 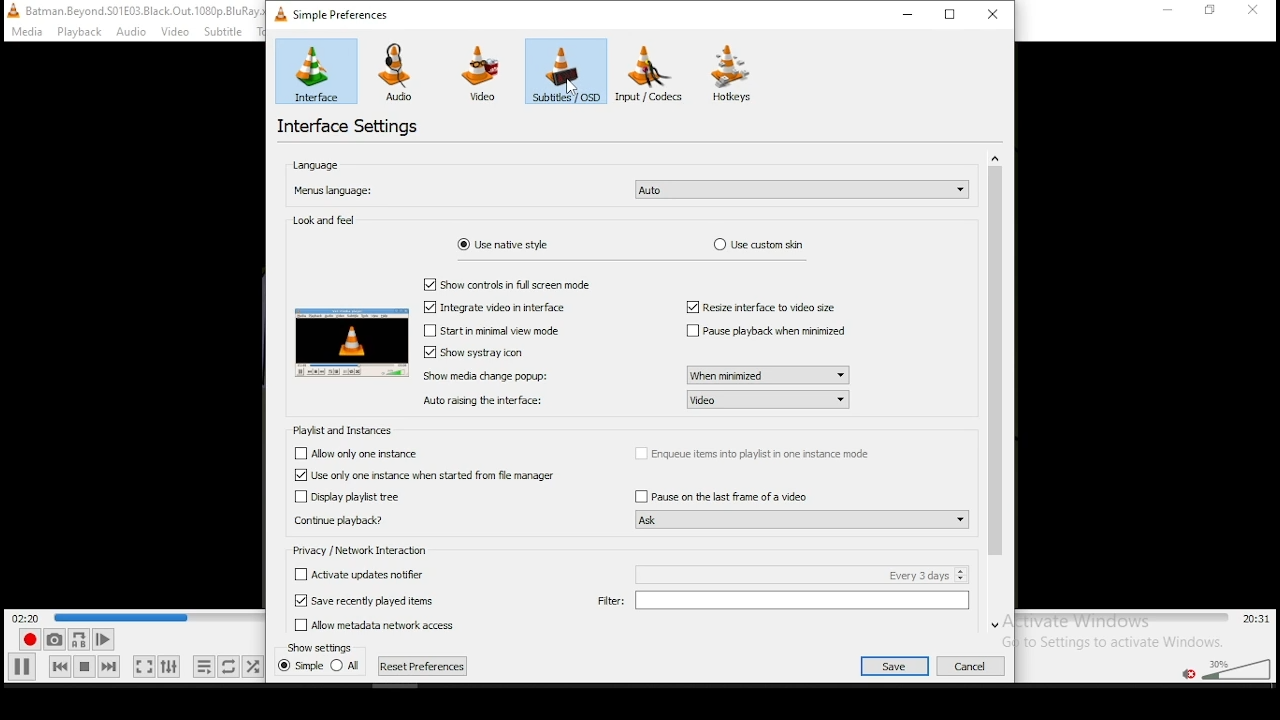 What do you see at coordinates (571, 85) in the screenshot?
I see `cursor` at bounding box center [571, 85].